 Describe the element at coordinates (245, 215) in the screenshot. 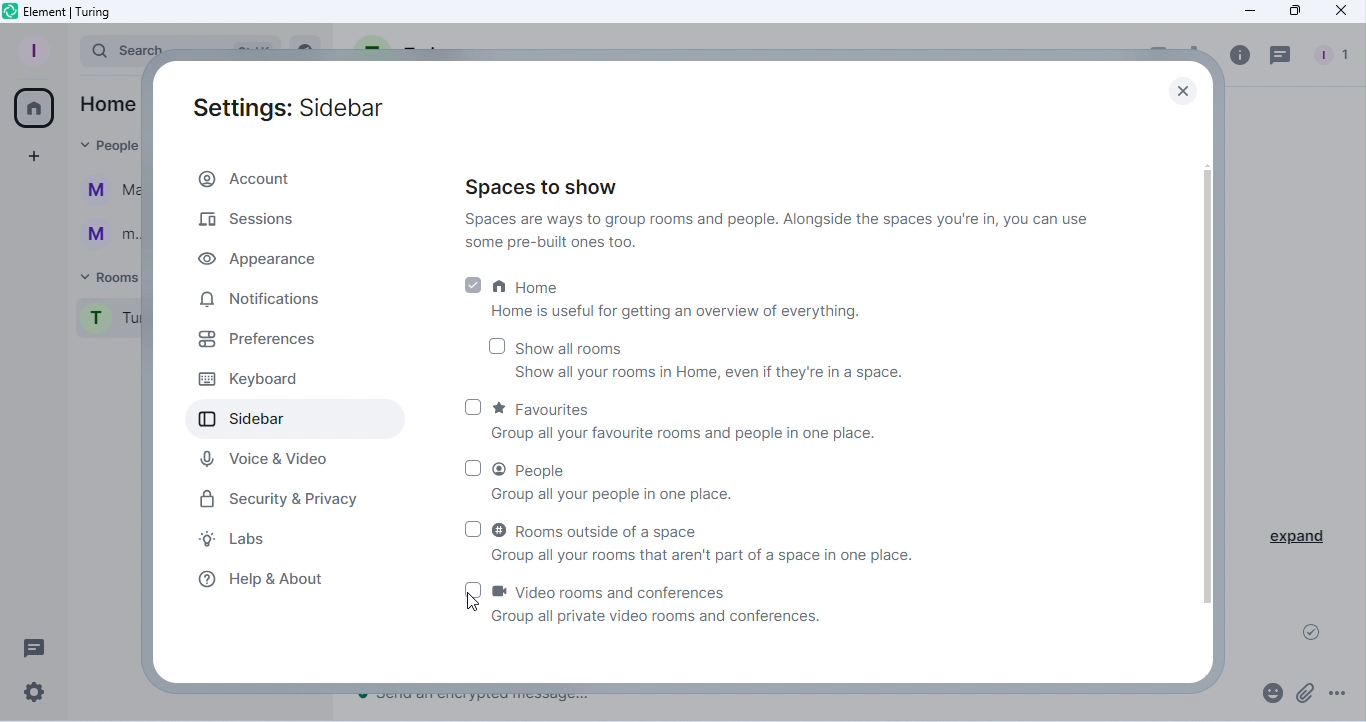

I see `Sessions` at that location.